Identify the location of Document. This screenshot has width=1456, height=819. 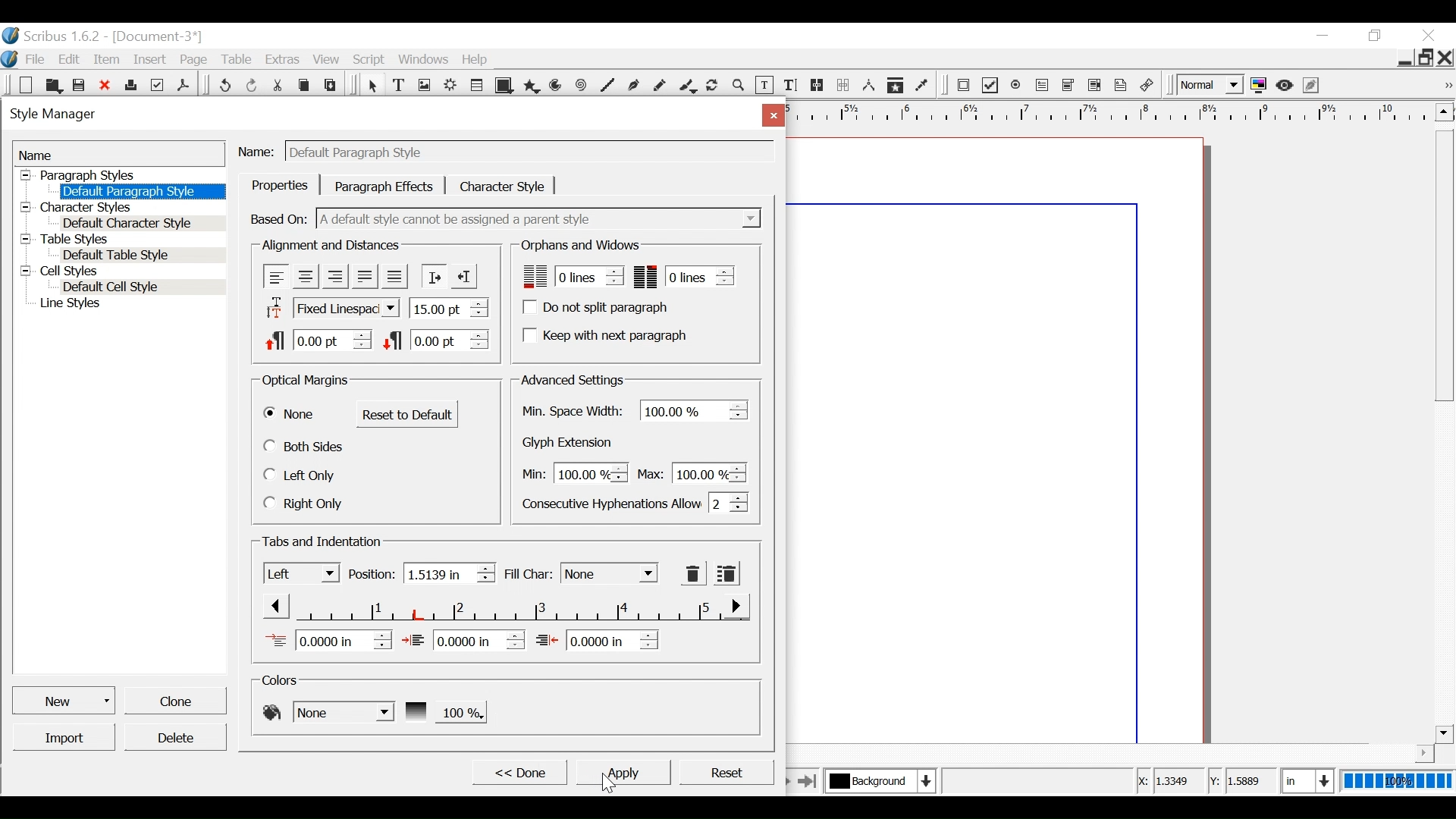
(155, 36).